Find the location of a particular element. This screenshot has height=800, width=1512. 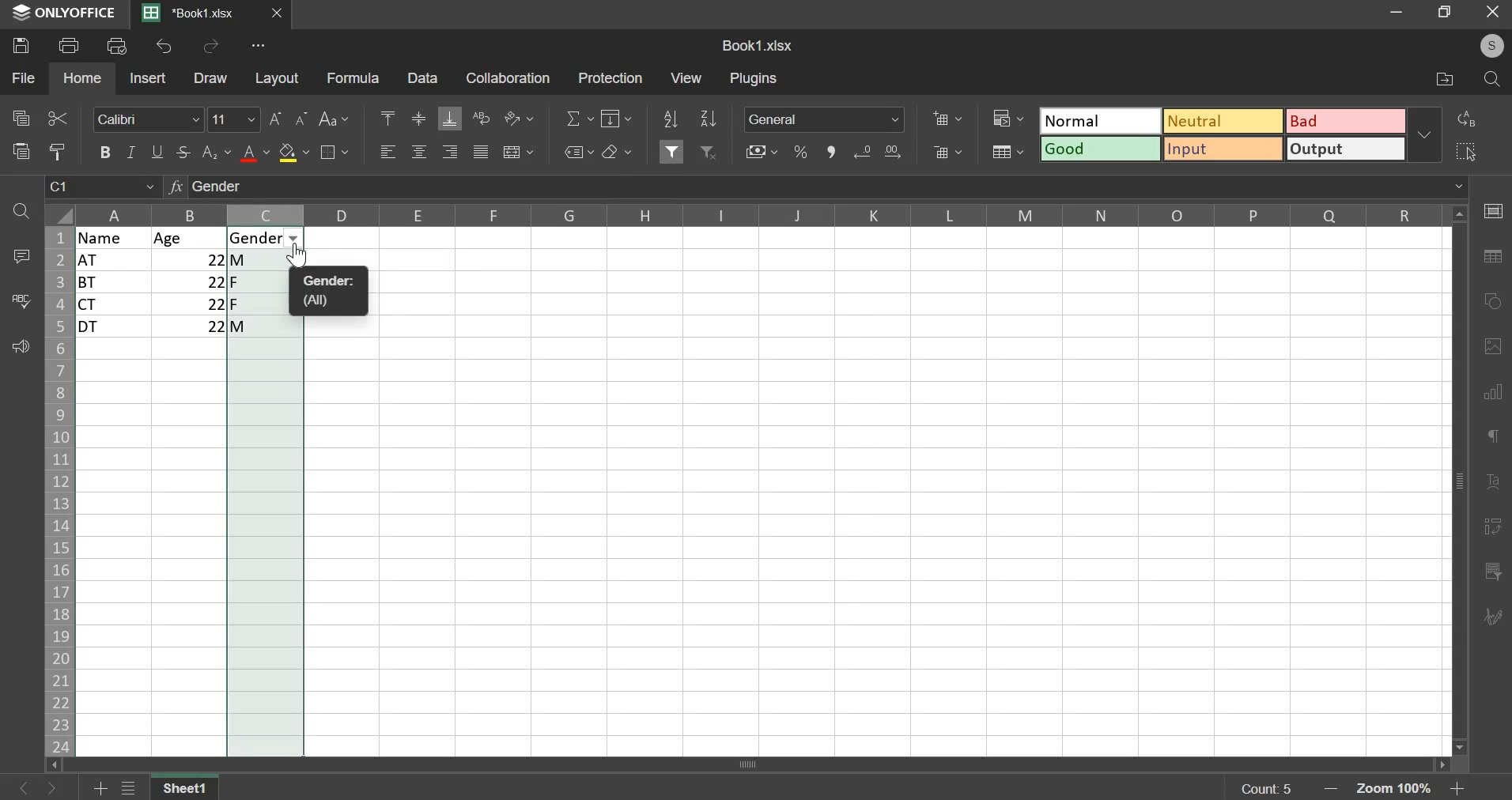

book1.xlsx is located at coordinates (758, 45).